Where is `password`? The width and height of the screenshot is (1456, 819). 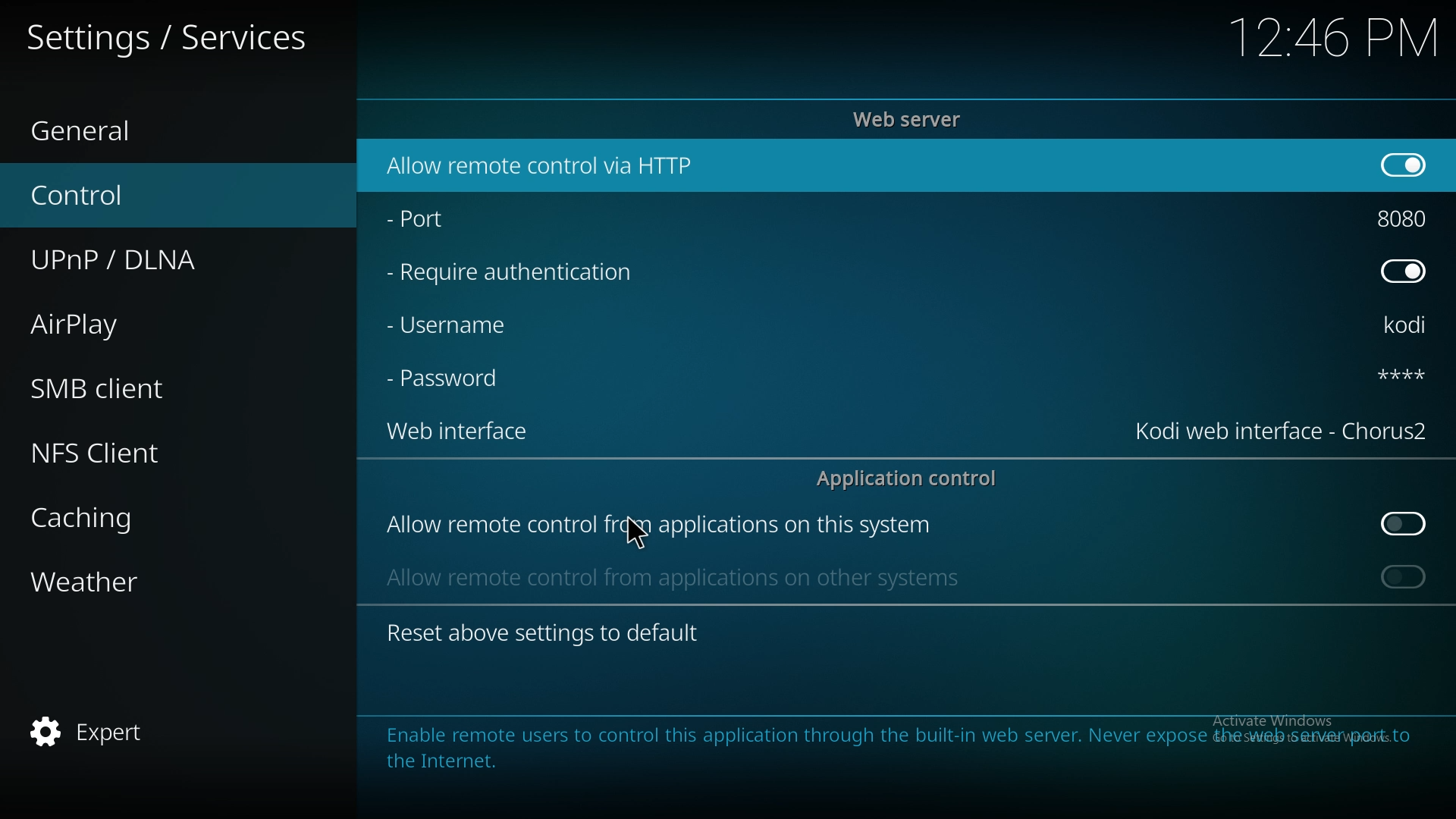 password is located at coordinates (1398, 375).